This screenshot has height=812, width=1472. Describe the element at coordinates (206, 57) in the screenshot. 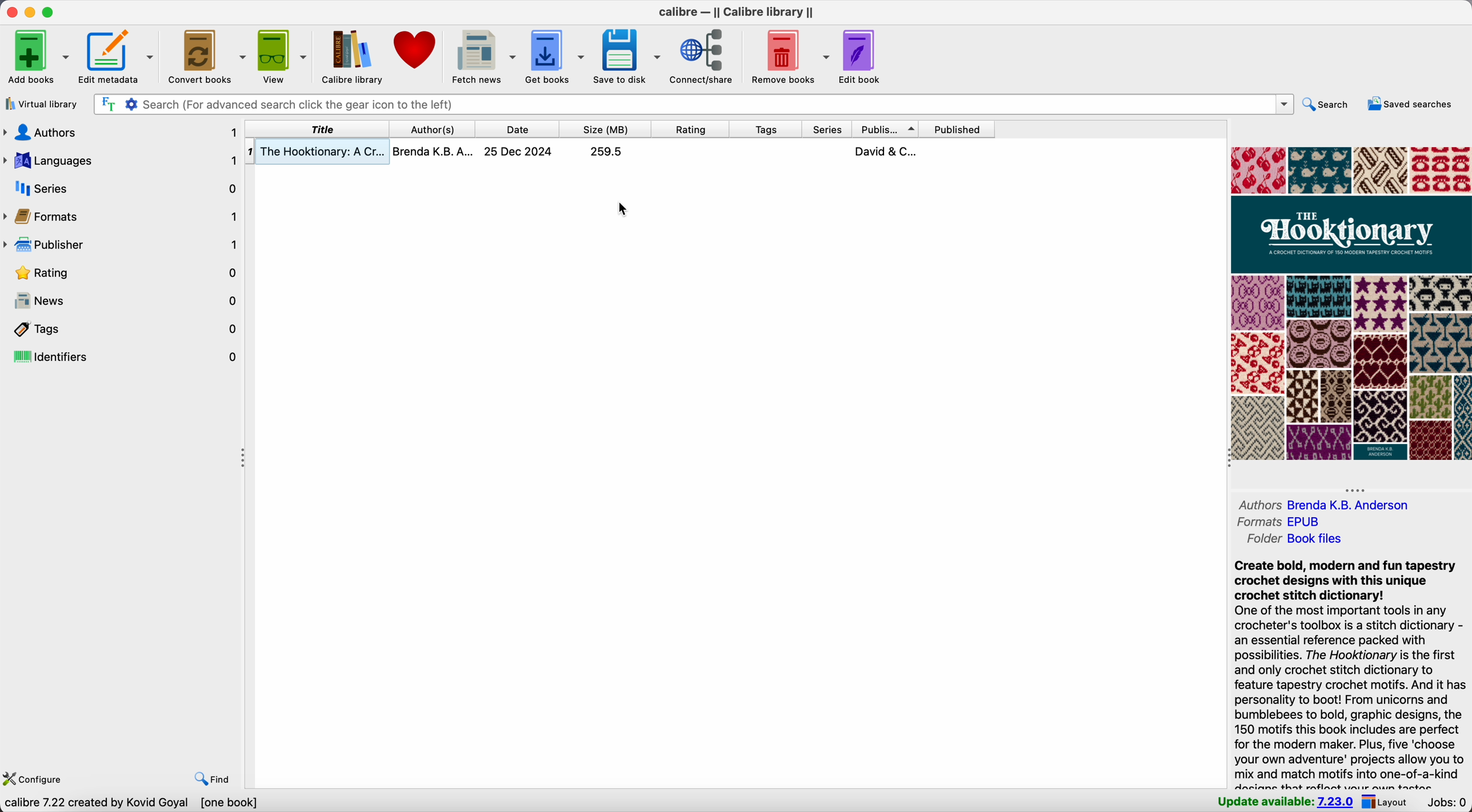

I see `convert. books` at that location.